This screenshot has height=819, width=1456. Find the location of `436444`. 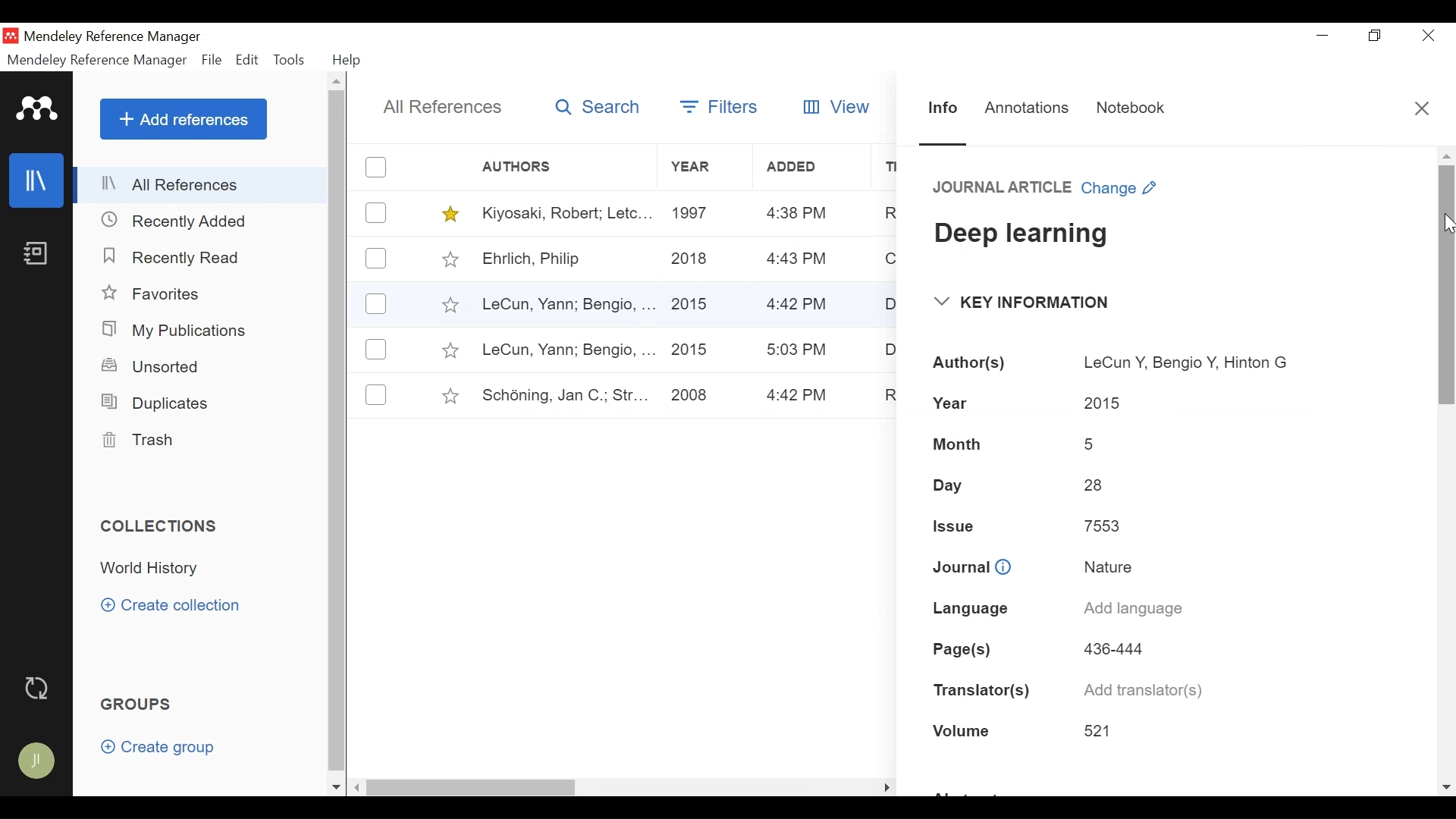

436444 is located at coordinates (1114, 648).